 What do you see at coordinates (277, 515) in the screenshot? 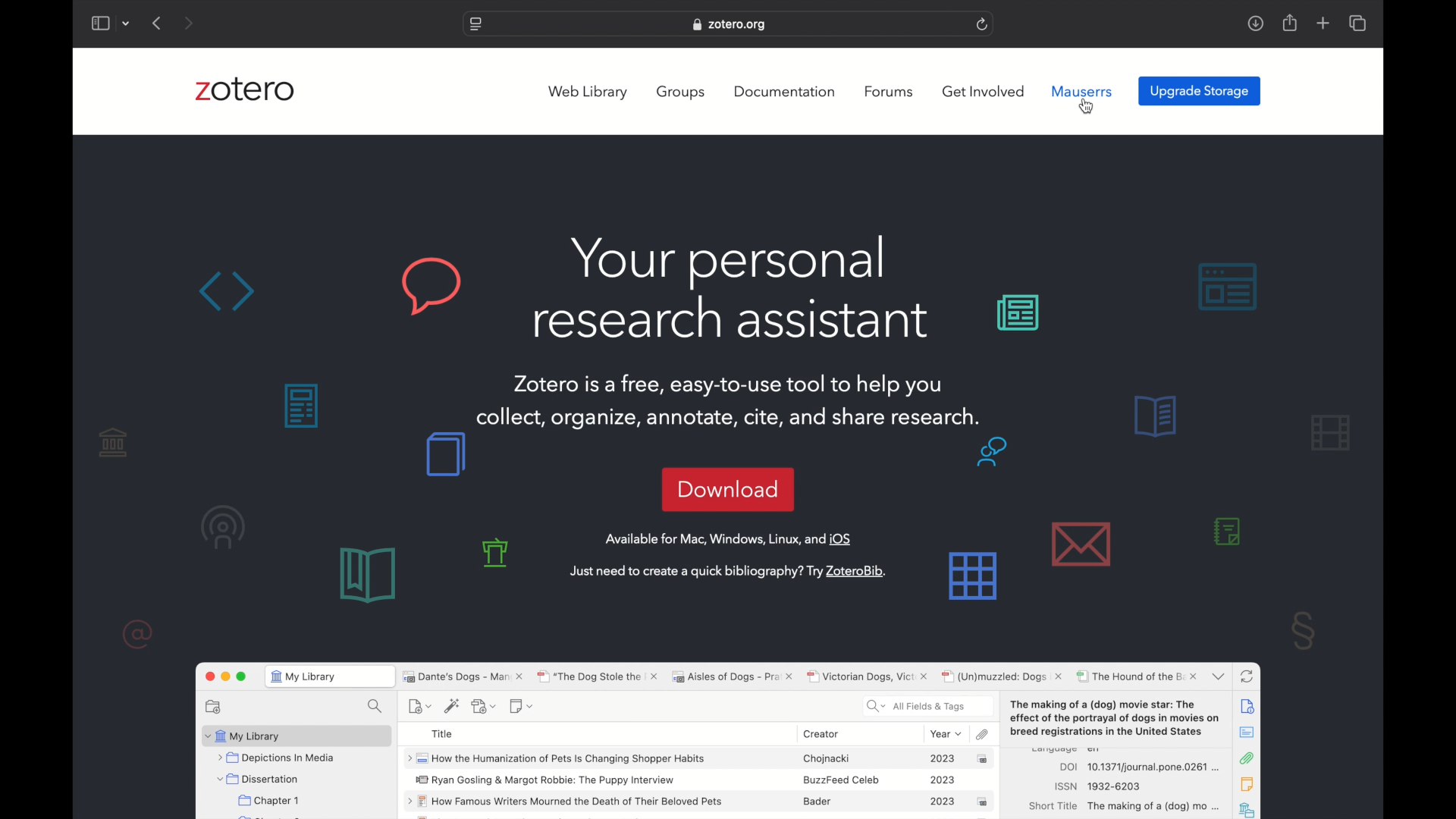
I see `background graphics` at bounding box center [277, 515].